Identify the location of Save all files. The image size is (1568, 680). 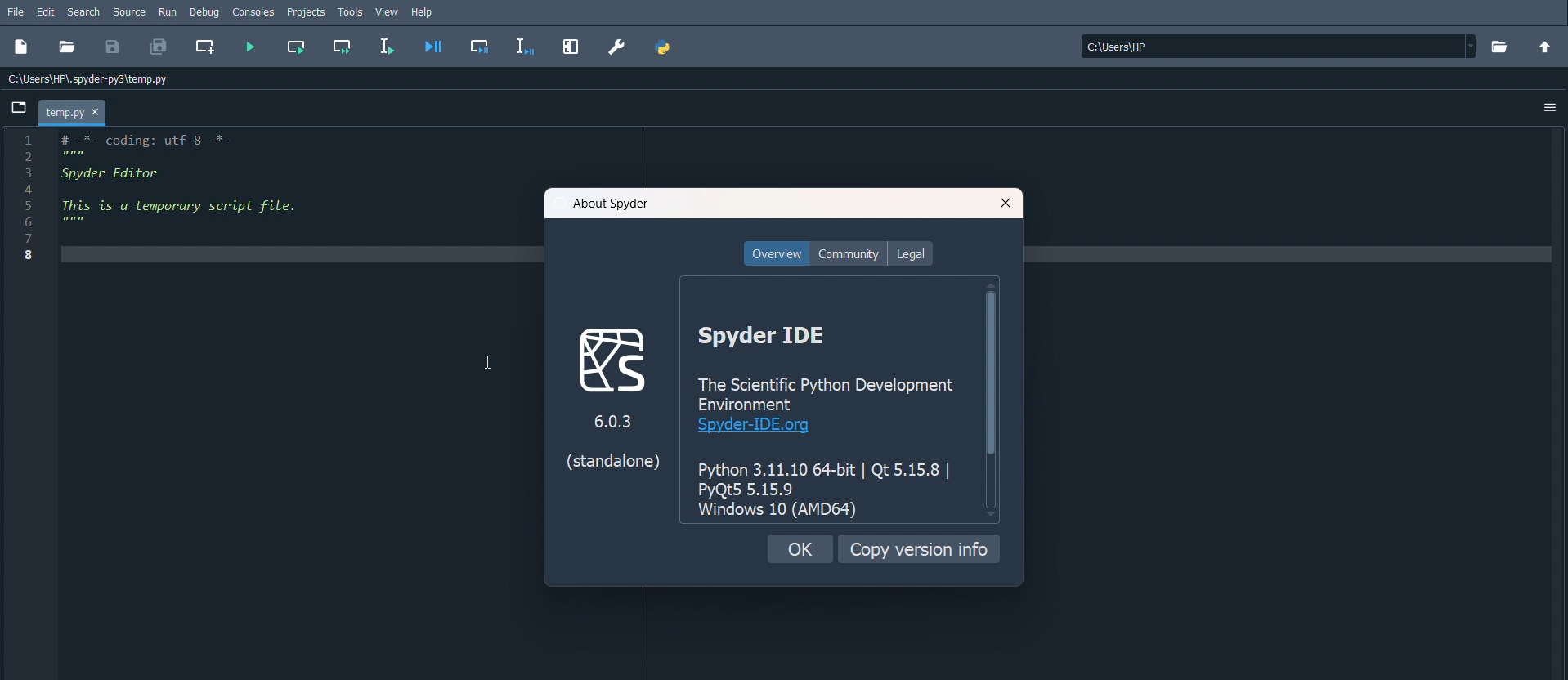
(157, 47).